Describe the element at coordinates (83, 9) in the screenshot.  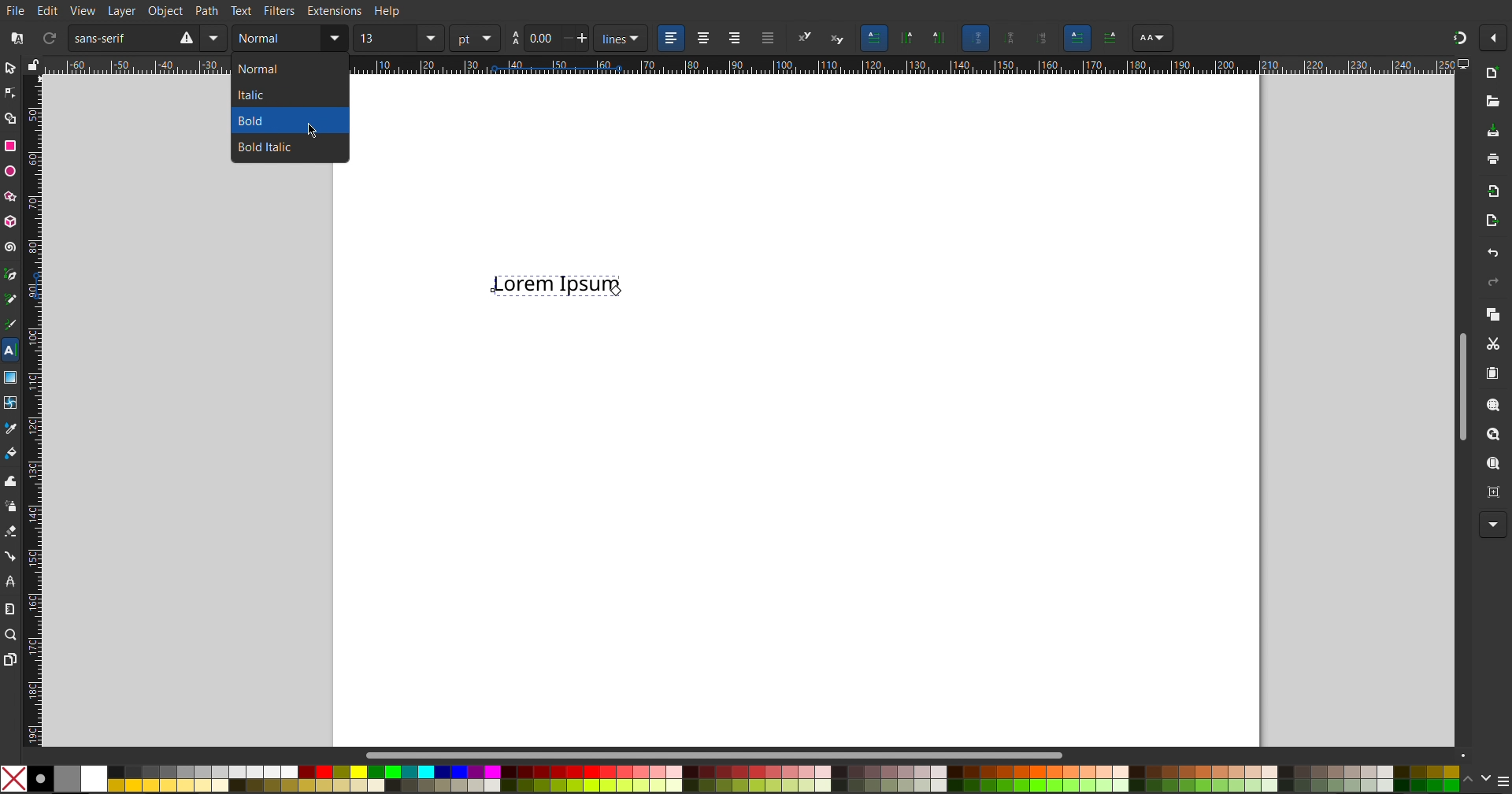
I see `View` at that location.